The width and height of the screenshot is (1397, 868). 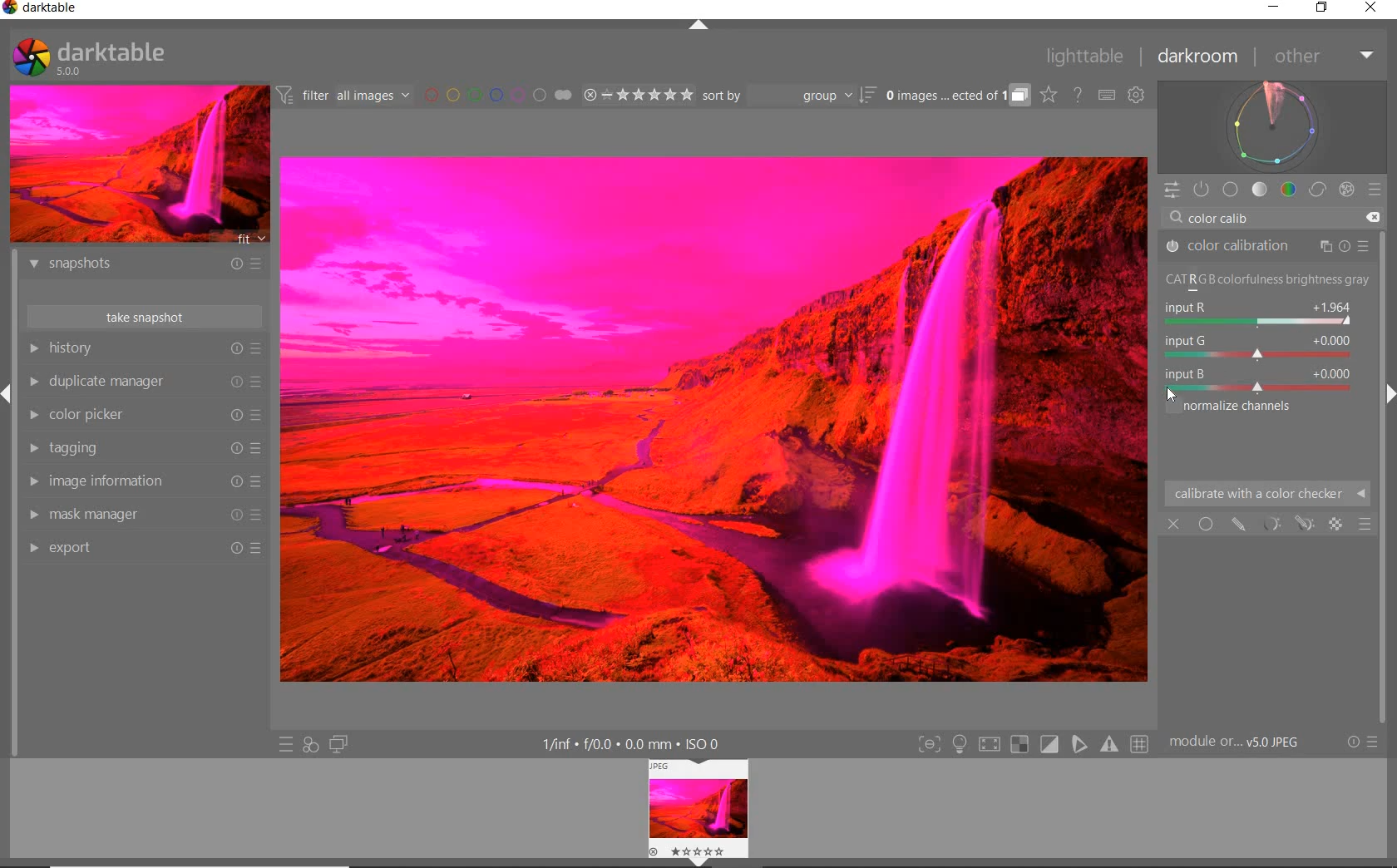 I want to click on SYSTEM LOGO, so click(x=90, y=57).